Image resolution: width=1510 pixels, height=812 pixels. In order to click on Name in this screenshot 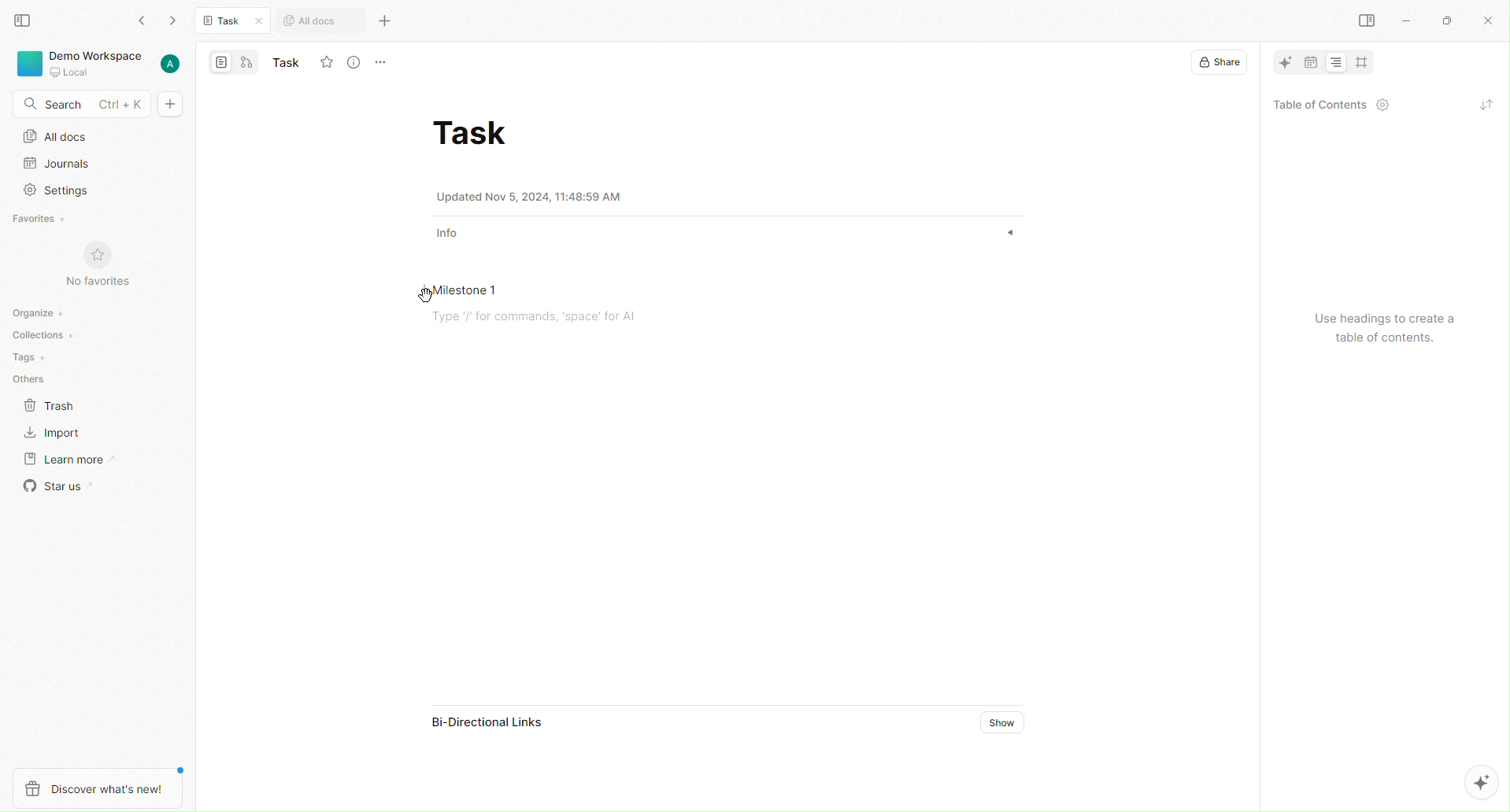, I will do `click(287, 63)`.